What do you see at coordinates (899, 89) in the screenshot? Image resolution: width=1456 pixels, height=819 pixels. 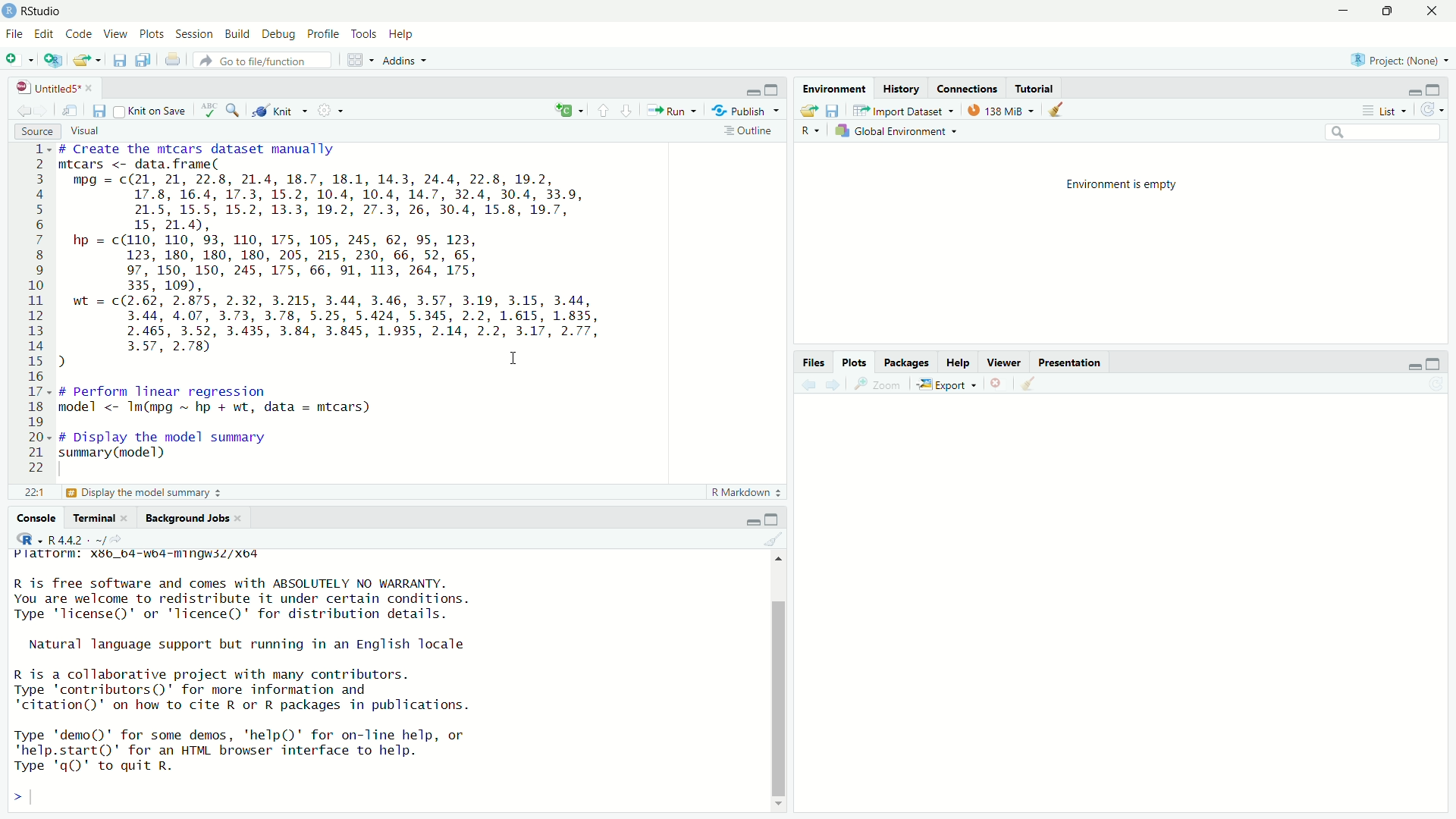 I see `History` at bounding box center [899, 89].